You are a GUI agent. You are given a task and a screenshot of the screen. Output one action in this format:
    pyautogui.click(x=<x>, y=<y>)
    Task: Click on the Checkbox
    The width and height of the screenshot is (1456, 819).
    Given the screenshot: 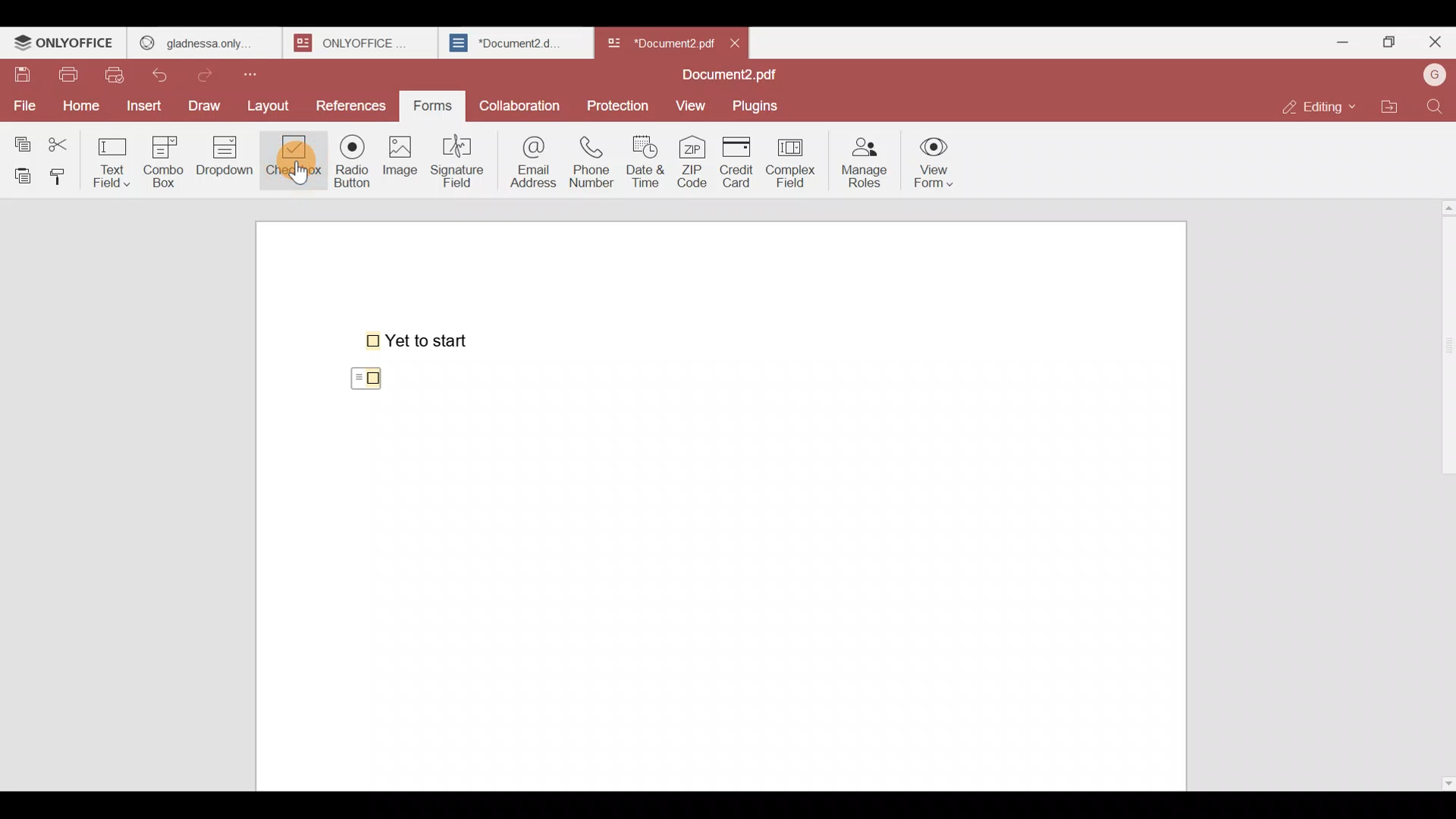 What is the action you would take?
    pyautogui.click(x=290, y=160)
    